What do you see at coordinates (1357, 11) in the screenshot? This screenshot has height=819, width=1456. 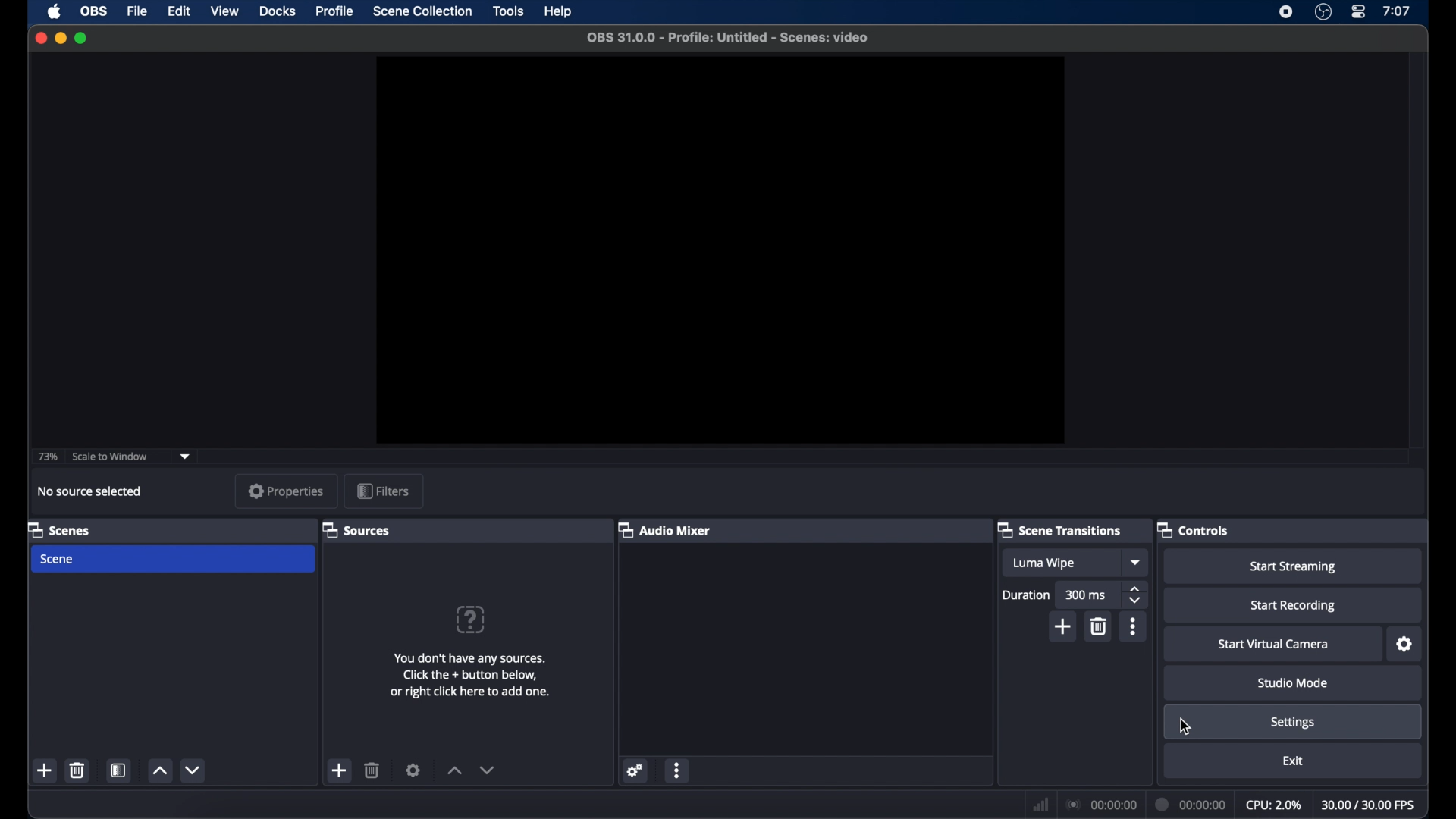 I see `control center` at bounding box center [1357, 11].